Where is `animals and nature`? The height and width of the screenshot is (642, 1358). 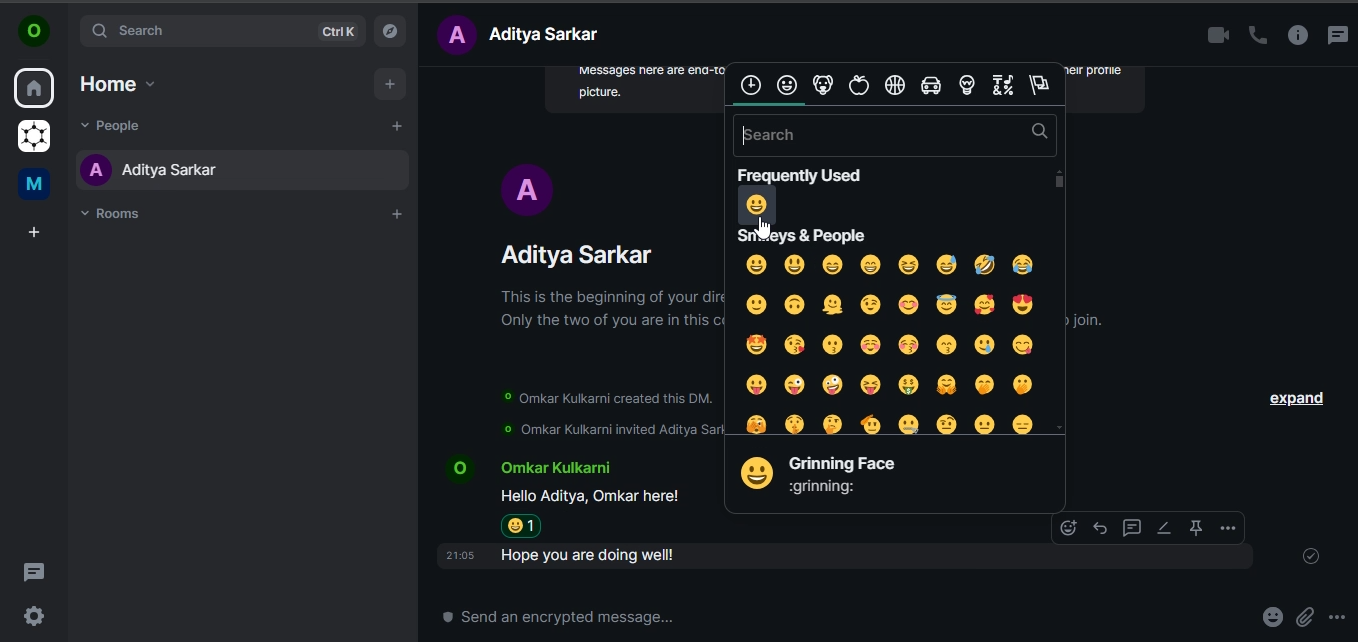 animals and nature is located at coordinates (826, 87).